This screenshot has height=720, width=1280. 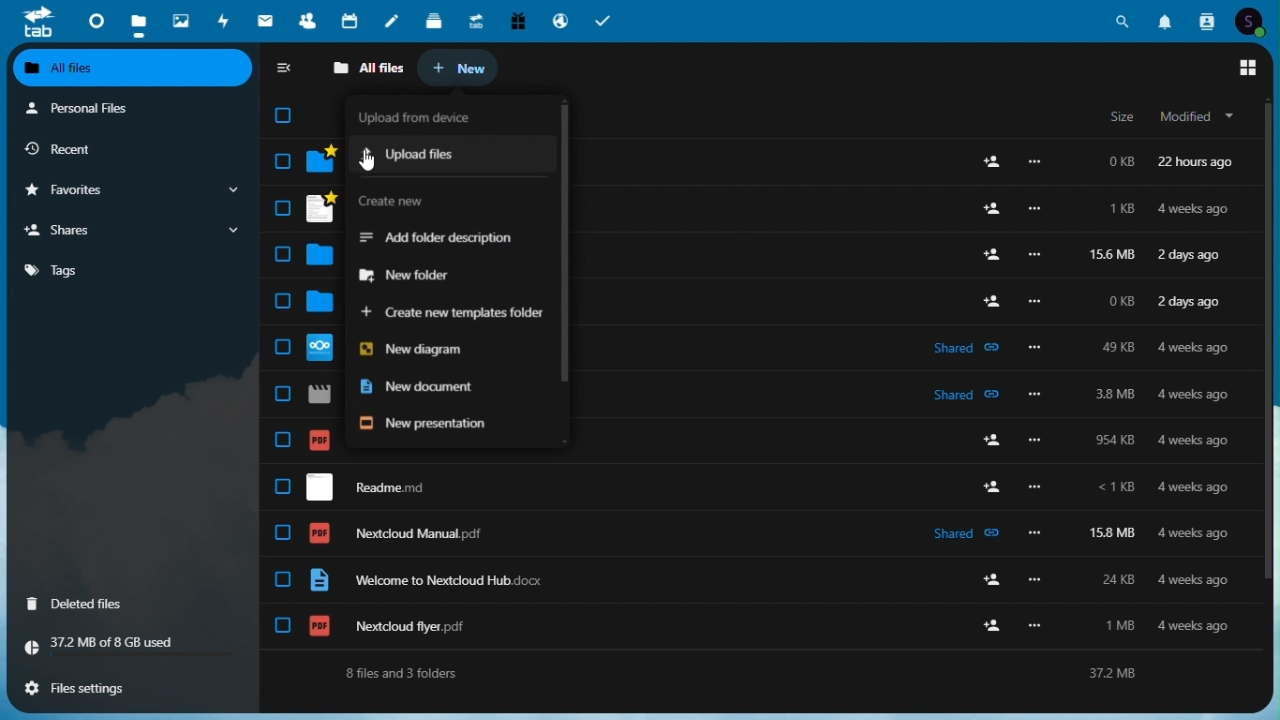 What do you see at coordinates (135, 685) in the screenshot?
I see `File settings` at bounding box center [135, 685].